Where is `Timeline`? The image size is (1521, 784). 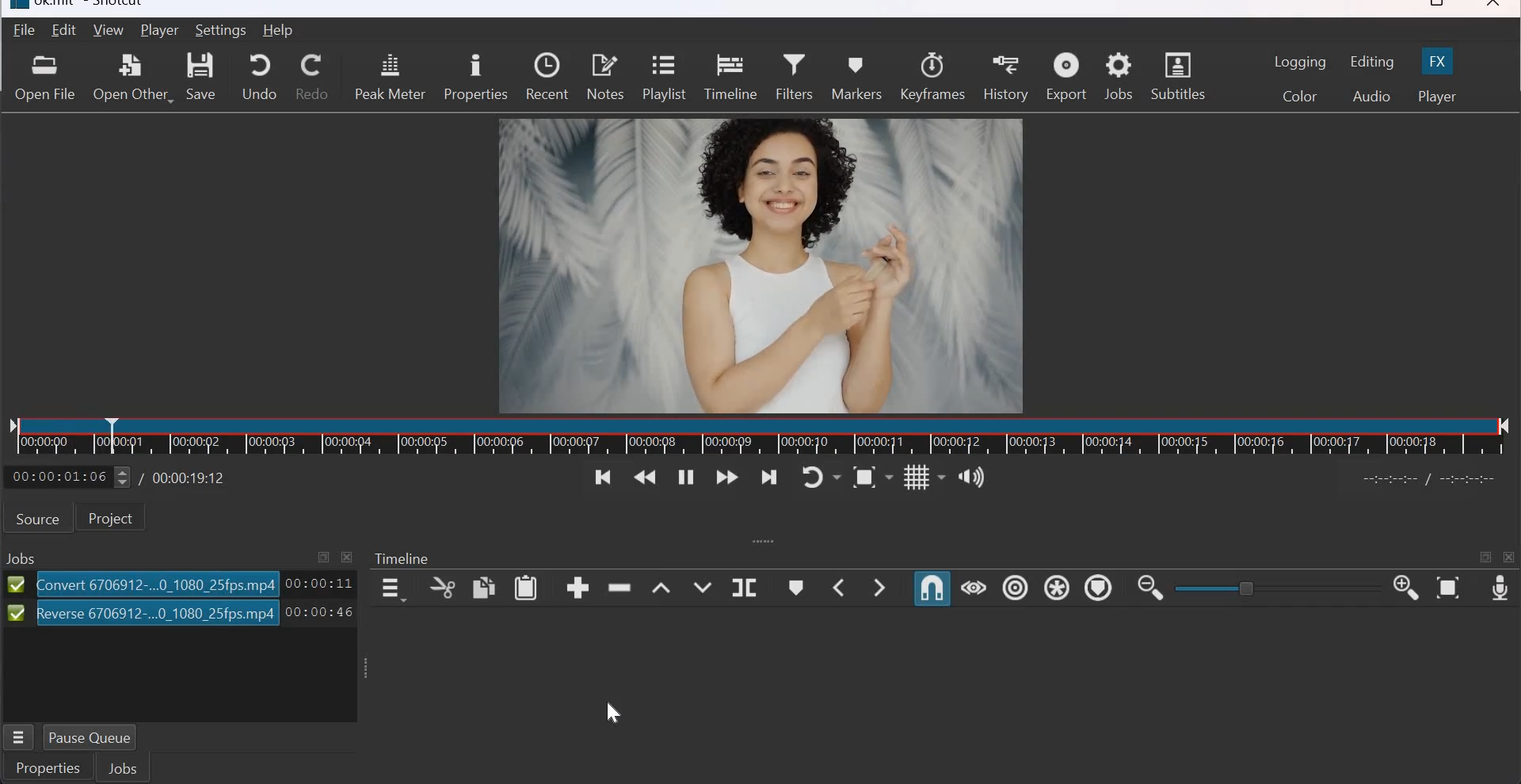
Timeline is located at coordinates (730, 77).